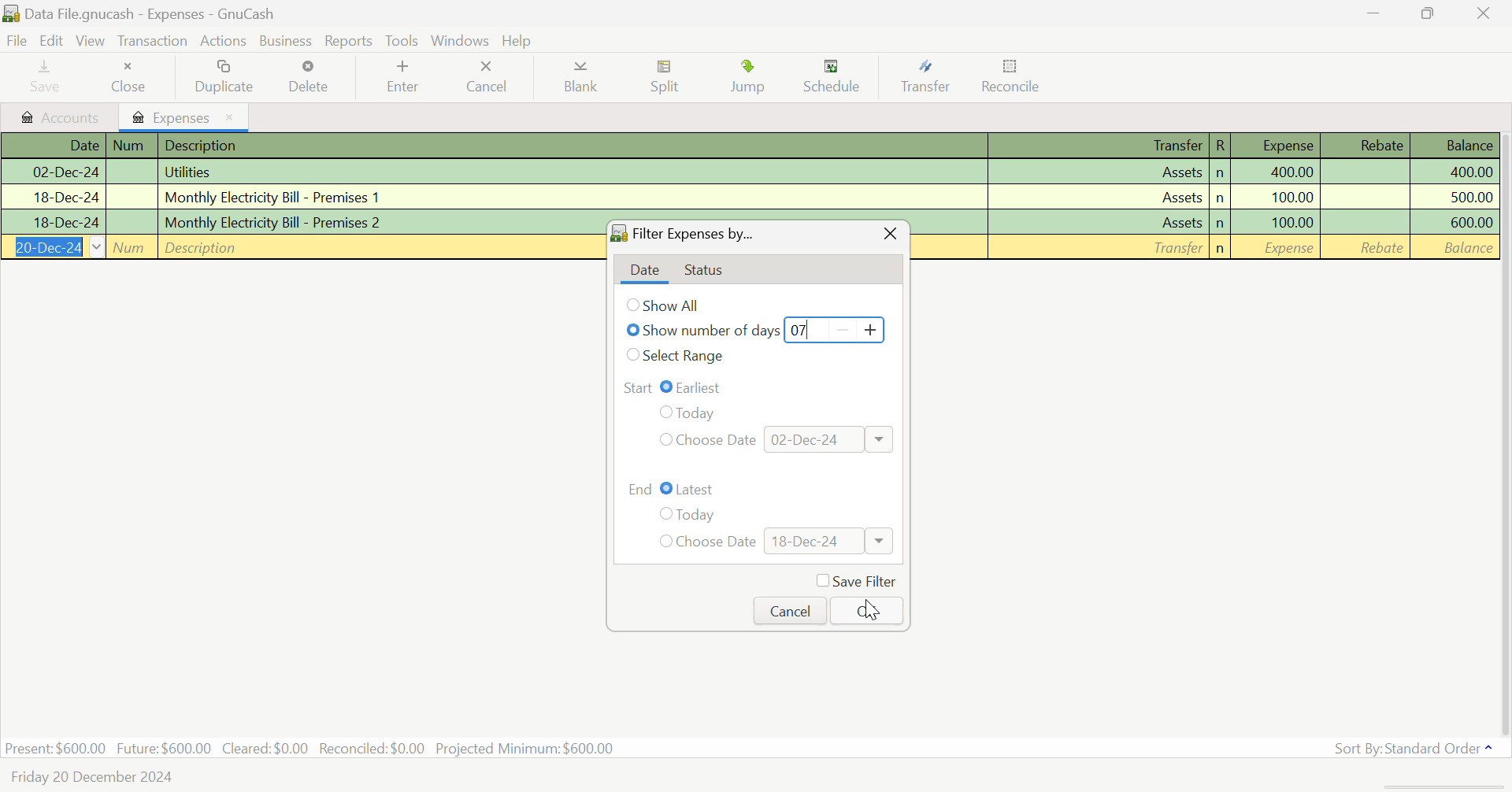  I want to click on Today, so click(691, 413).